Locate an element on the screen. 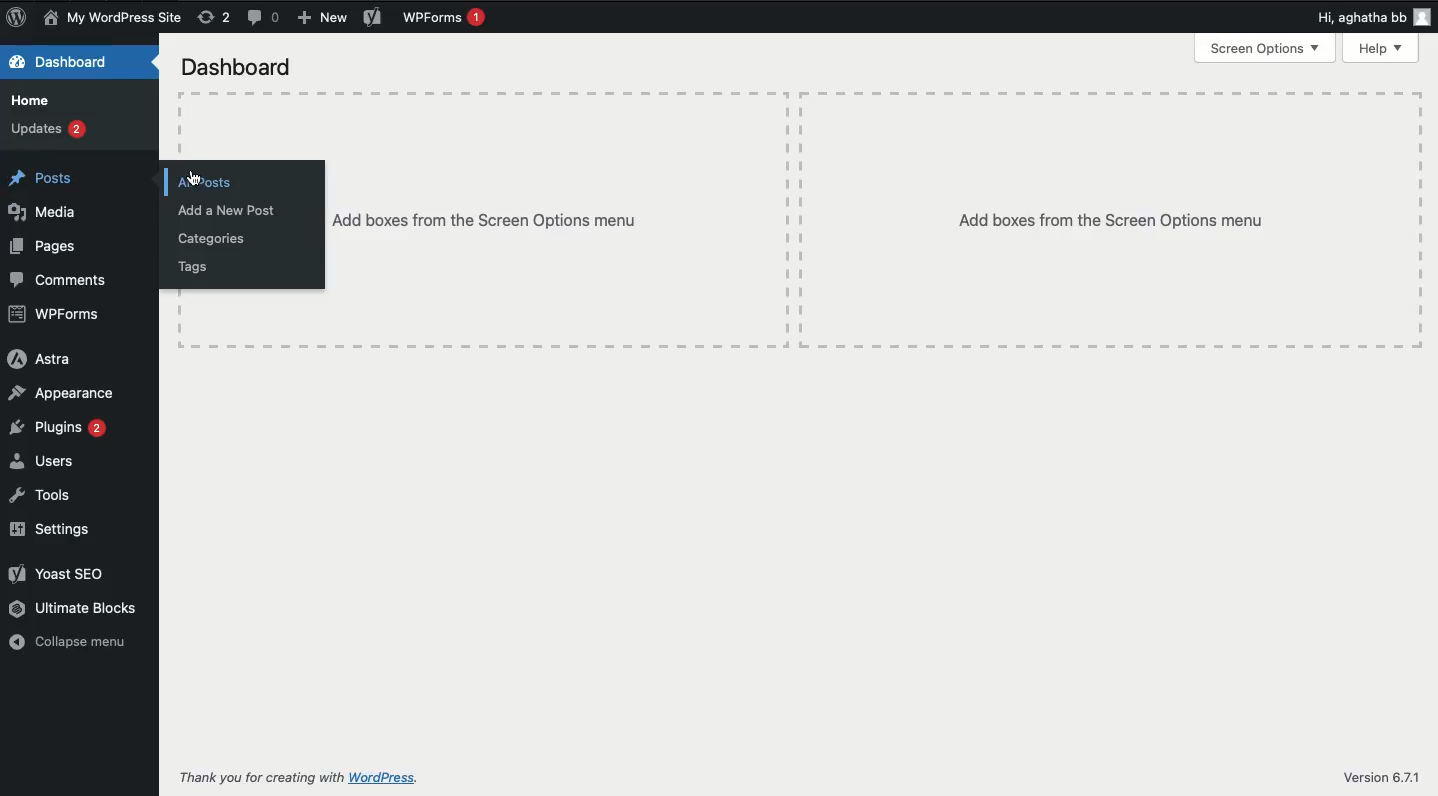 The image size is (1438, 796). Add boxes from the Screen options menu is located at coordinates (1112, 220).